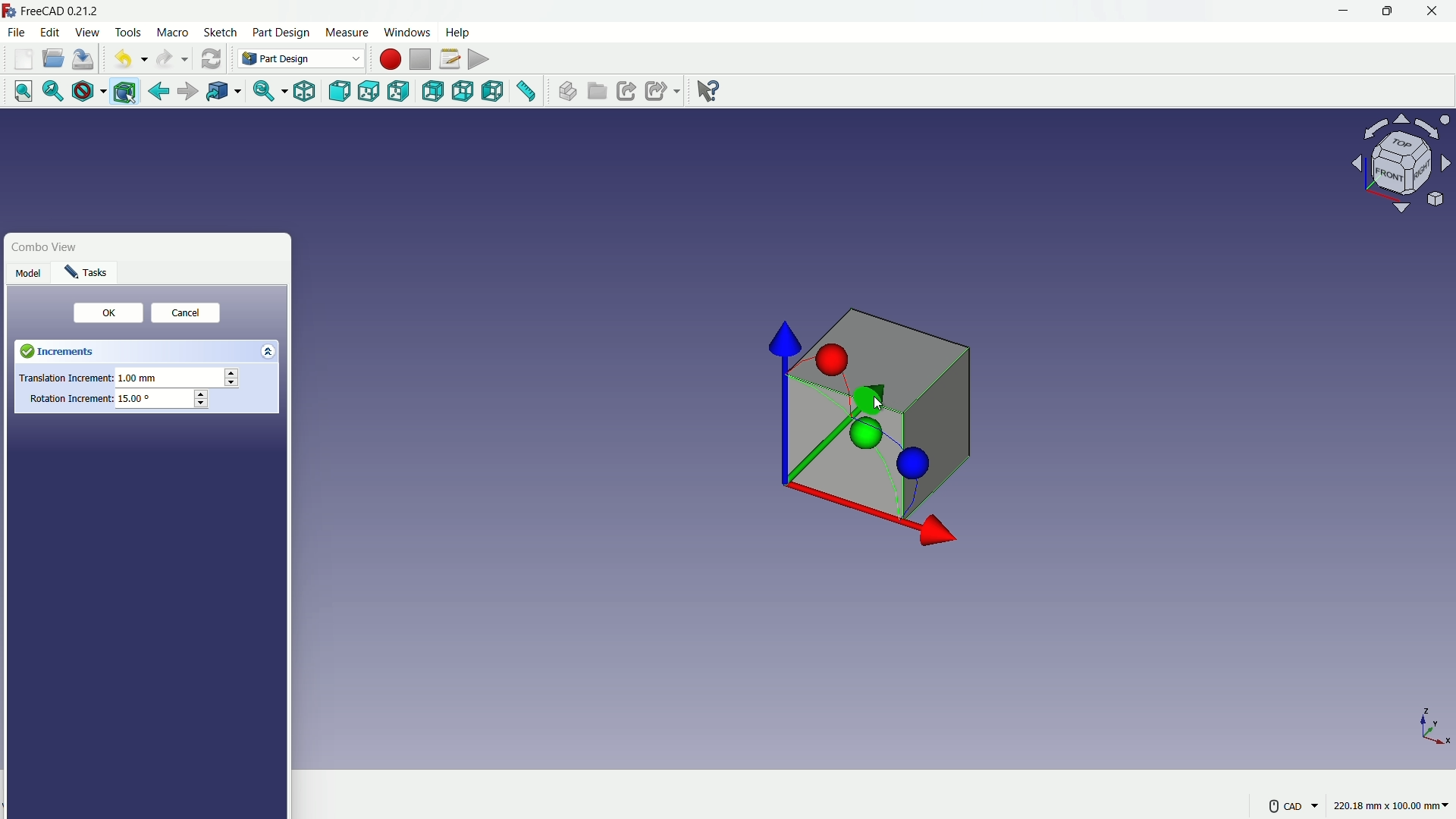 Image resolution: width=1456 pixels, height=819 pixels. What do you see at coordinates (86, 92) in the screenshot?
I see `draw style` at bounding box center [86, 92].